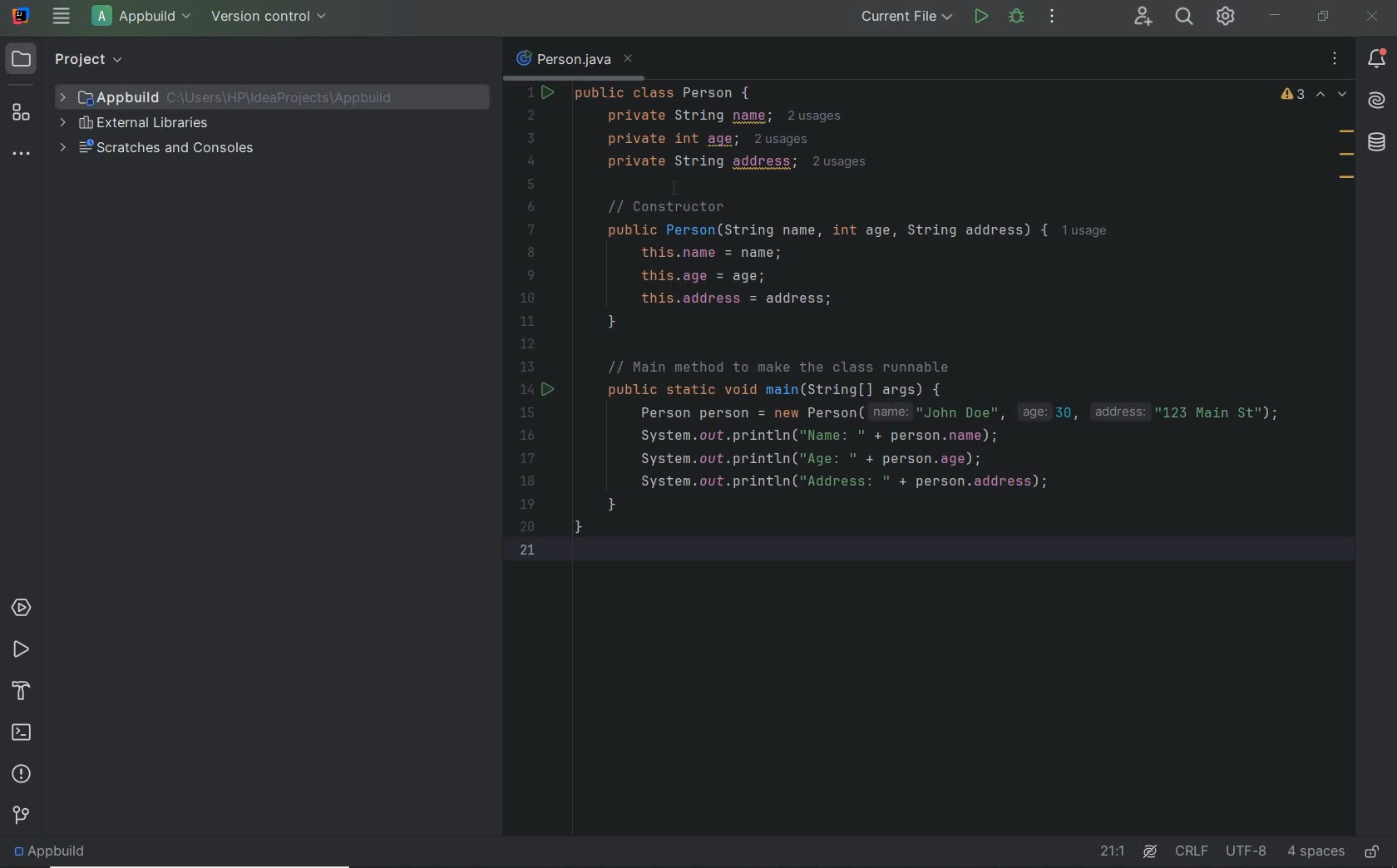 Image resolution: width=1397 pixels, height=868 pixels. I want to click on run, so click(19, 648).